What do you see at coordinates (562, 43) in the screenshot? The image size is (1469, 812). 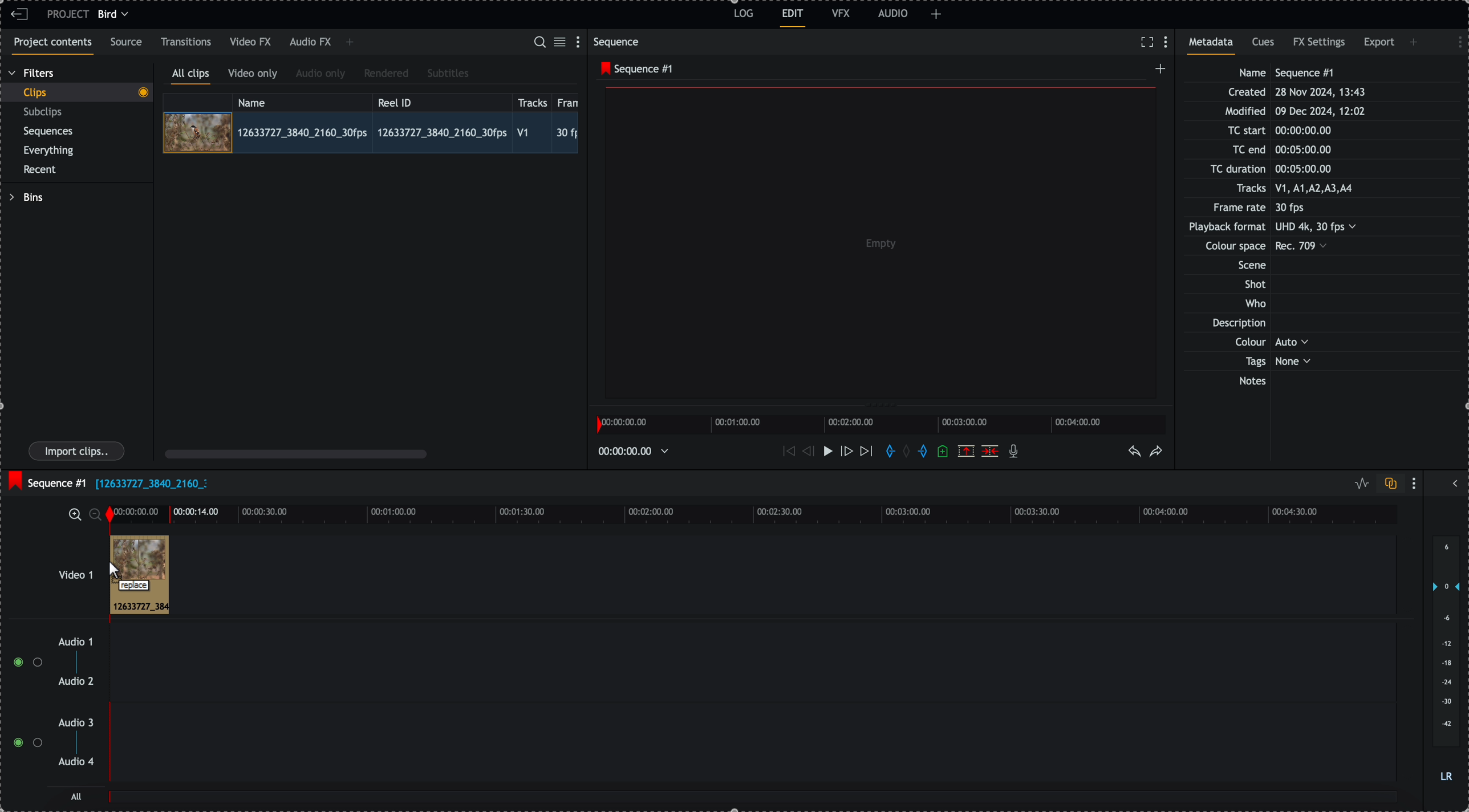 I see `toggle between list and tile view` at bounding box center [562, 43].